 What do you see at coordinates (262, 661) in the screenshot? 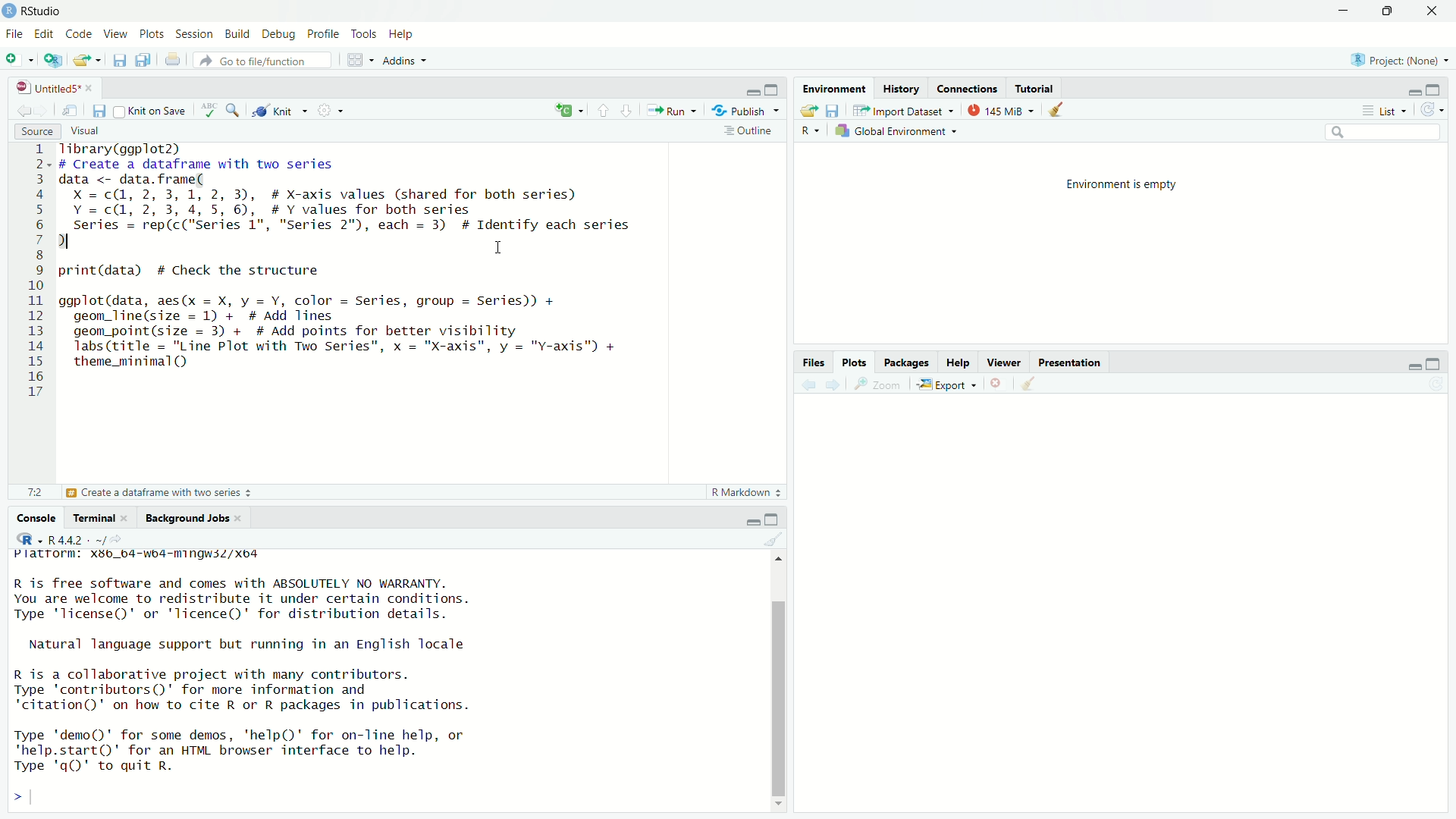
I see `Platform.xbb_b4 "" R is free software and comes with ABSOLUTELY NO WARRANTY.You are welcome to redistribute it under certain conditions.Type "license" or 'licence()' for distribution details.Natural language support but running in an English localeR is a collaborative project with many contributors.Type 'contributors()' for more information and"citation()" on how to cite R or R packages in publications.Type "demo()' for some demos, 'help()' for on-line help, or quit R` at bounding box center [262, 661].